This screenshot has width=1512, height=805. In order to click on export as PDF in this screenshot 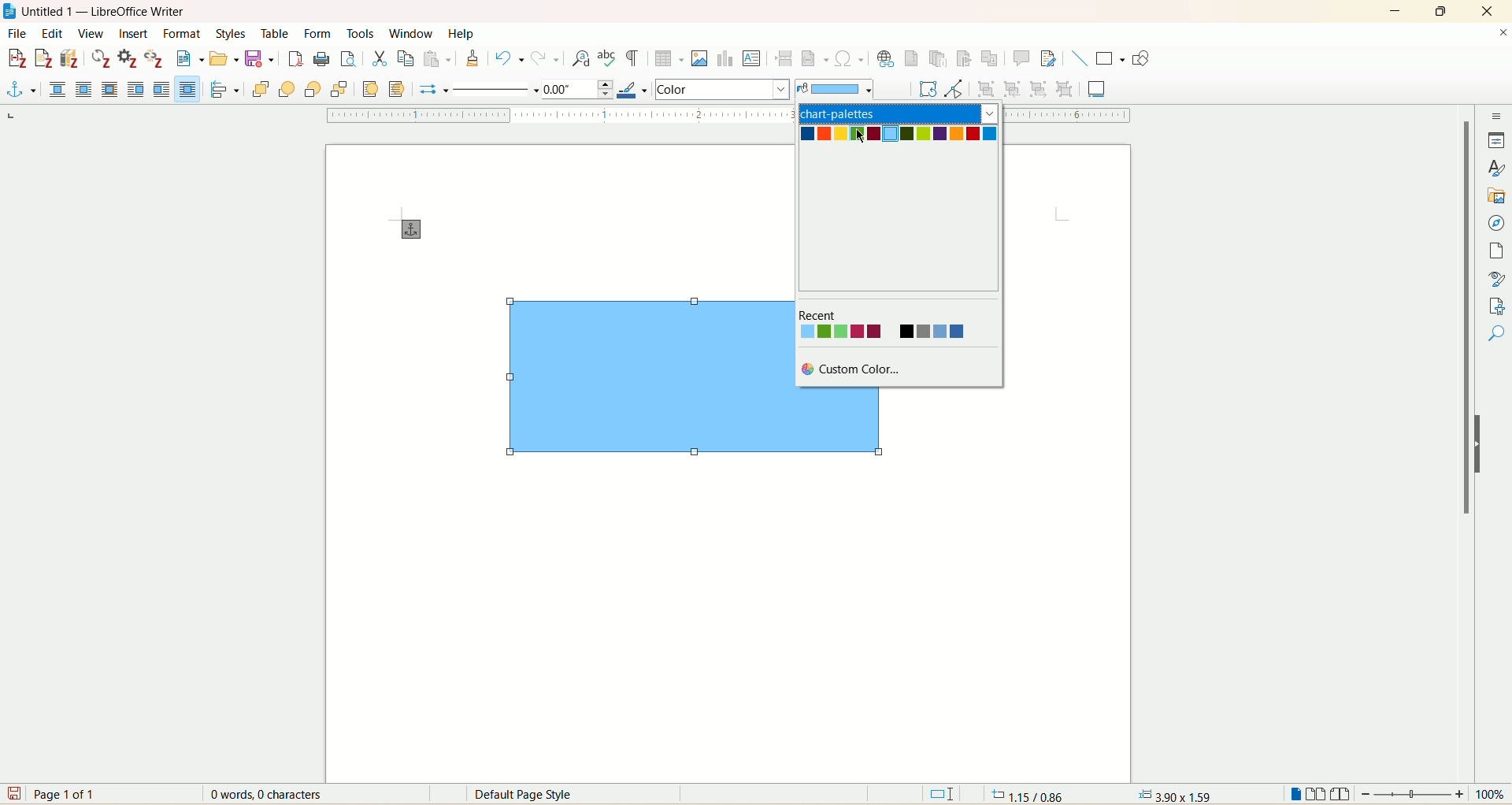, I will do `click(295, 61)`.